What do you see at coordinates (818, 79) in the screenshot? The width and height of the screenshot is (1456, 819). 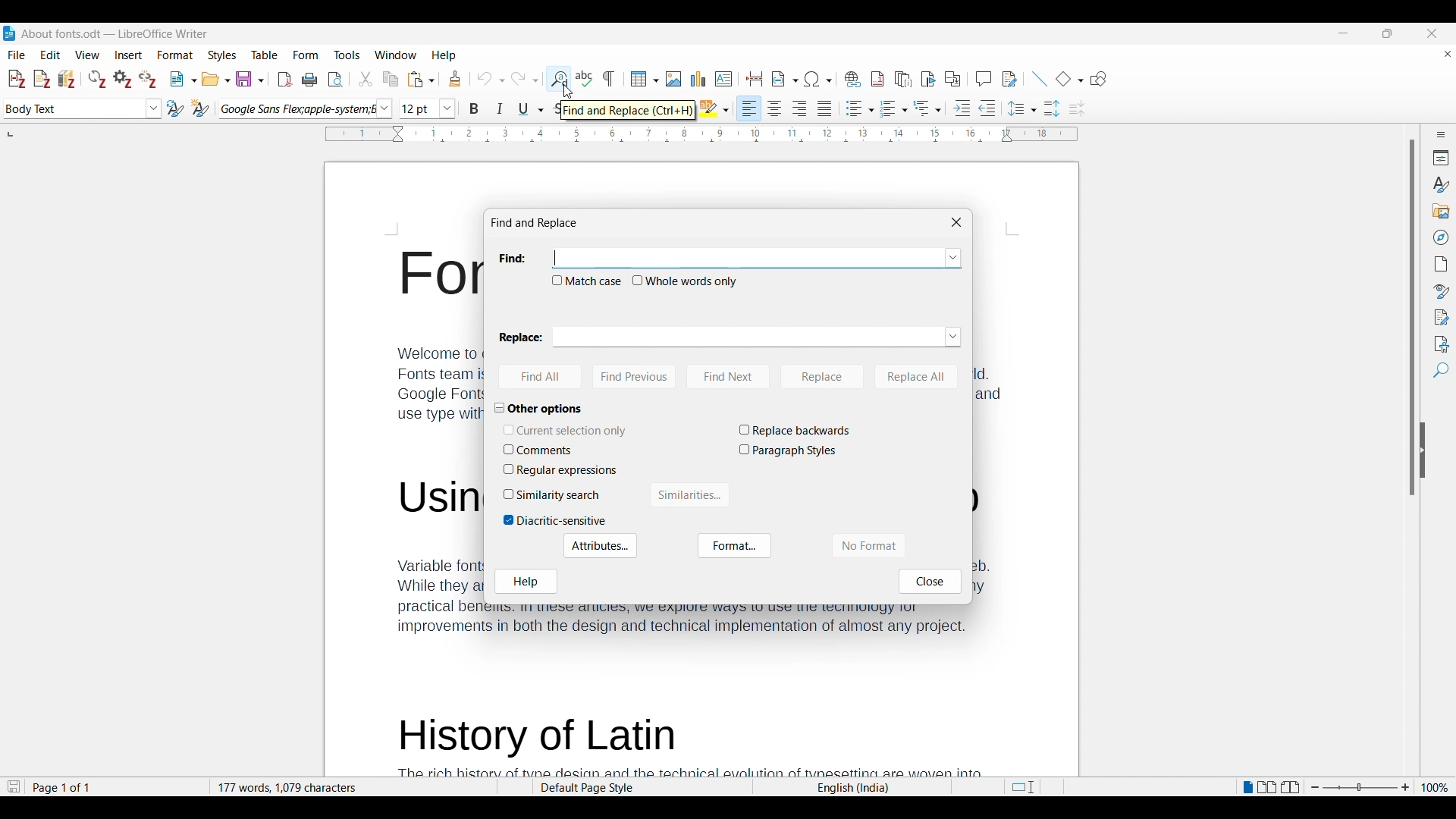 I see `Special character options and current selection` at bounding box center [818, 79].